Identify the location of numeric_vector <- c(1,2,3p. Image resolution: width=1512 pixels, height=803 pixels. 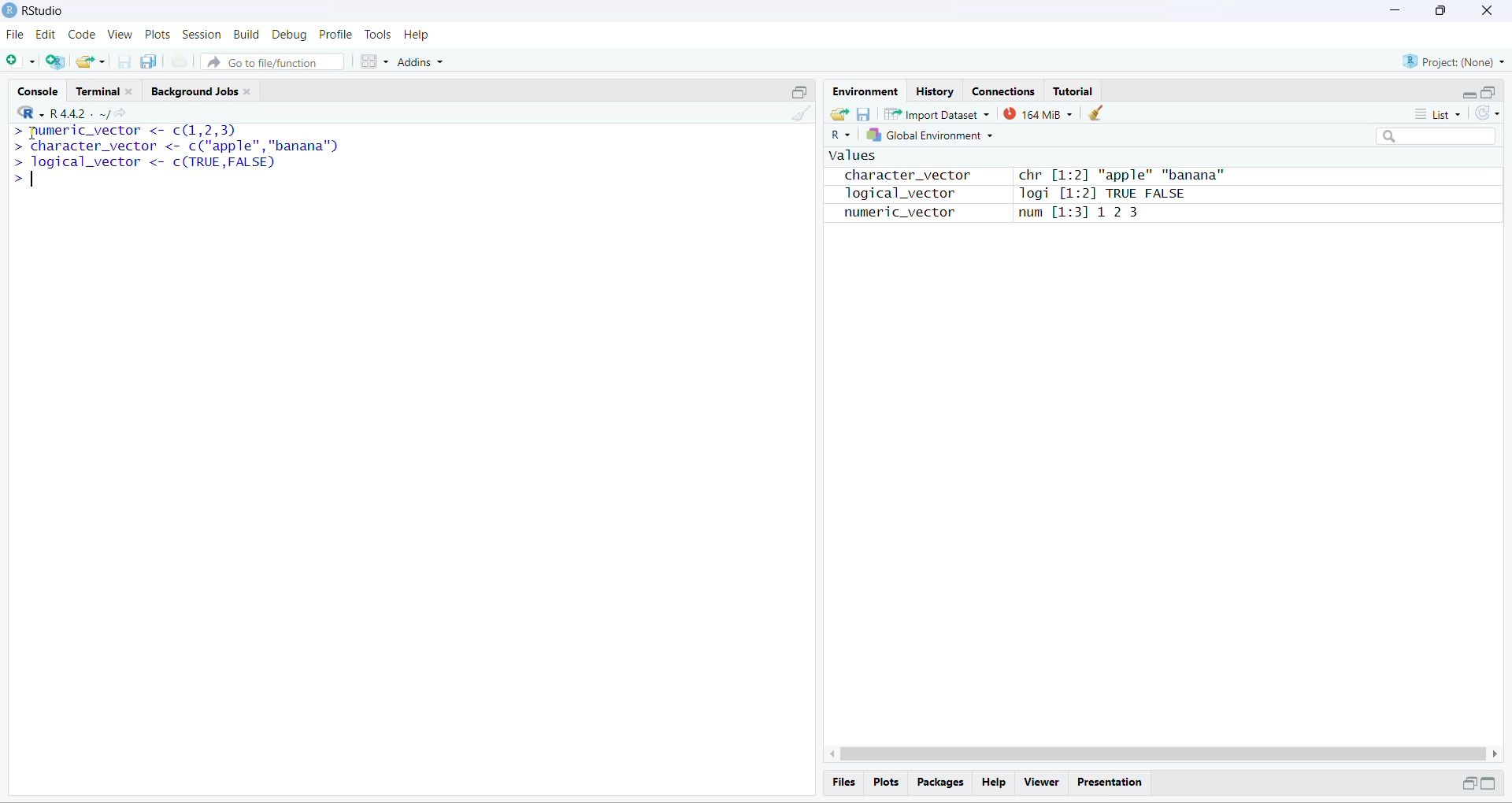
(126, 131).